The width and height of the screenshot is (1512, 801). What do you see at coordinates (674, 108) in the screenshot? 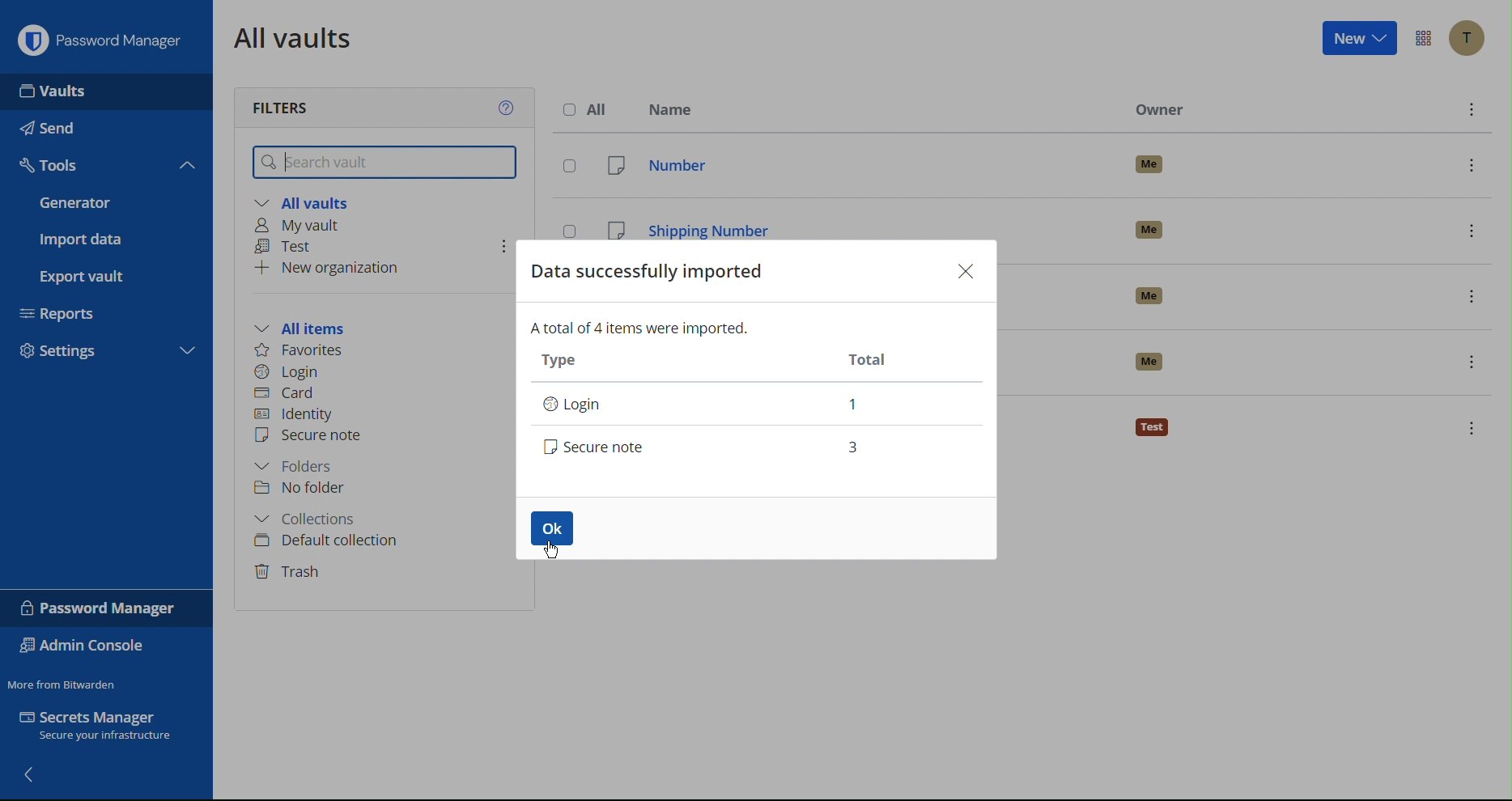
I see `Name` at bounding box center [674, 108].